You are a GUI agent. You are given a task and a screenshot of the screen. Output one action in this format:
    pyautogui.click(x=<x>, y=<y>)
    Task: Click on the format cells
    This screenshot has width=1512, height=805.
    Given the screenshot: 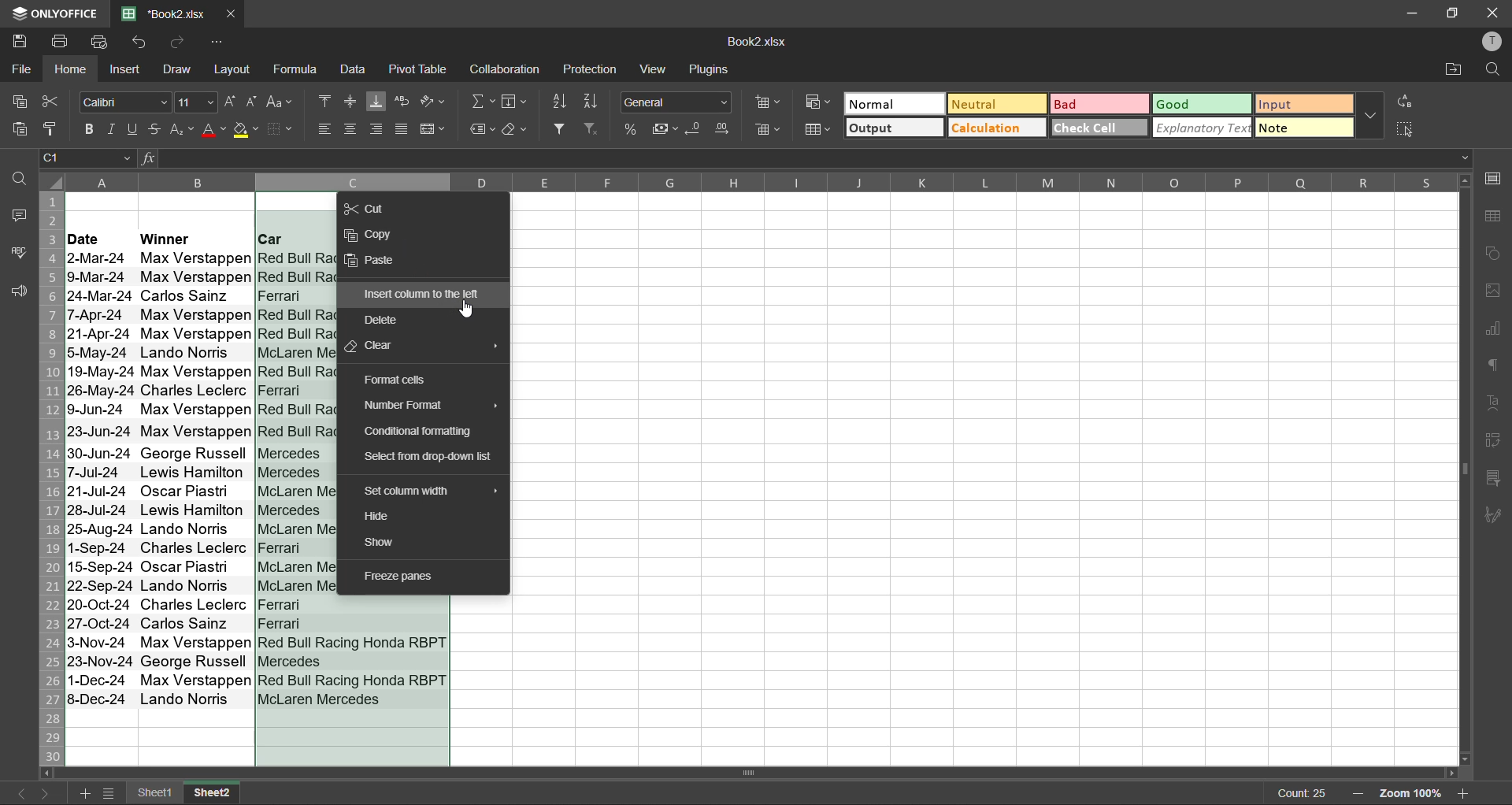 What is the action you would take?
    pyautogui.click(x=395, y=378)
    